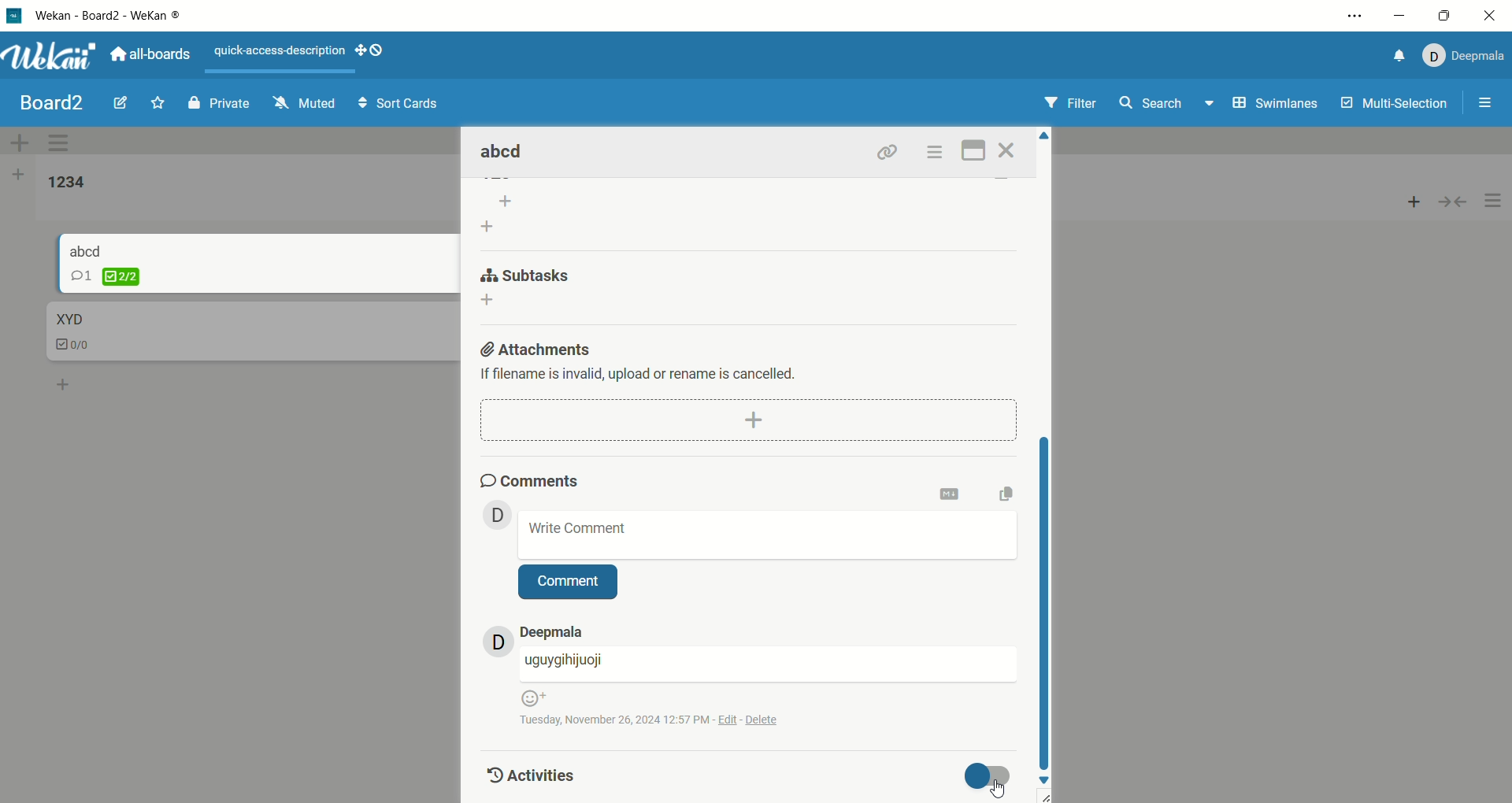 The width and height of the screenshot is (1512, 803). Describe the element at coordinates (20, 142) in the screenshot. I see `add swimlane` at that location.